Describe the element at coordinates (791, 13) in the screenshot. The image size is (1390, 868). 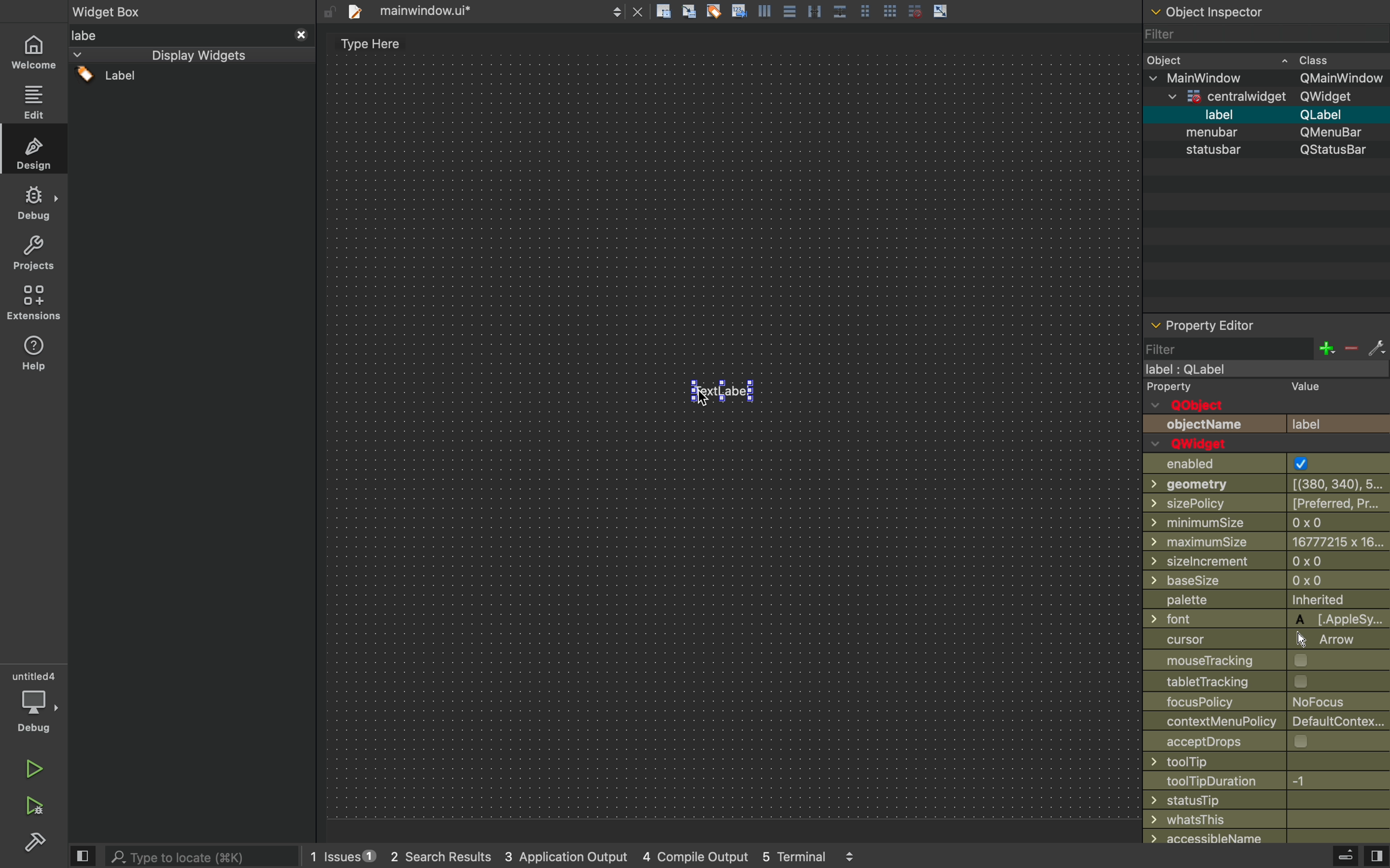
I see `Pages` at that location.